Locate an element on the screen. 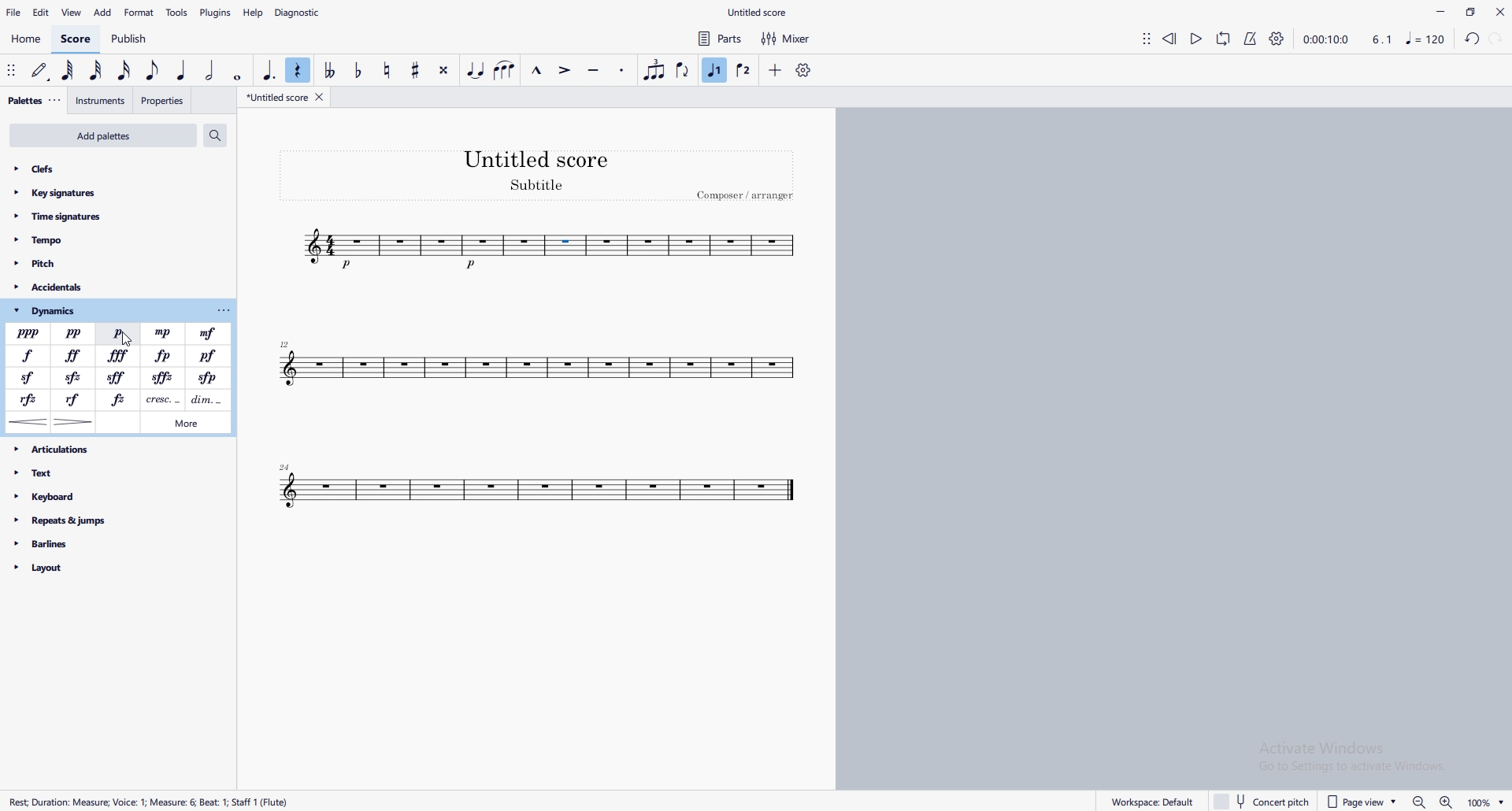 This screenshot has height=811, width=1512. edit is located at coordinates (43, 13).